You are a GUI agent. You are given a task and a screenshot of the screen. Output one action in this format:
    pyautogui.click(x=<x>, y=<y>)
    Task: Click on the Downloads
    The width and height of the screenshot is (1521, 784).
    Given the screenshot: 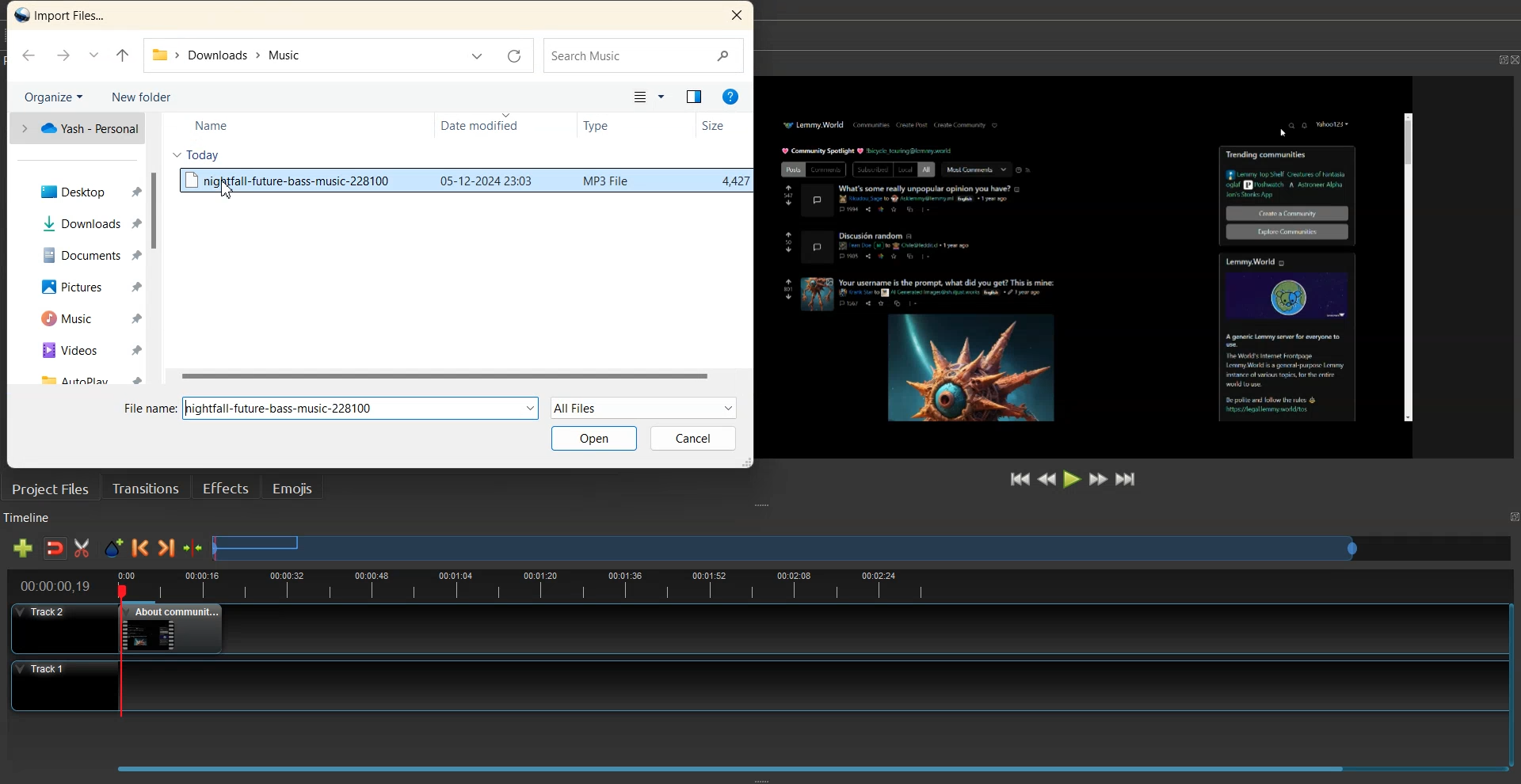 What is the action you would take?
    pyautogui.click(x=75, y=223)
    